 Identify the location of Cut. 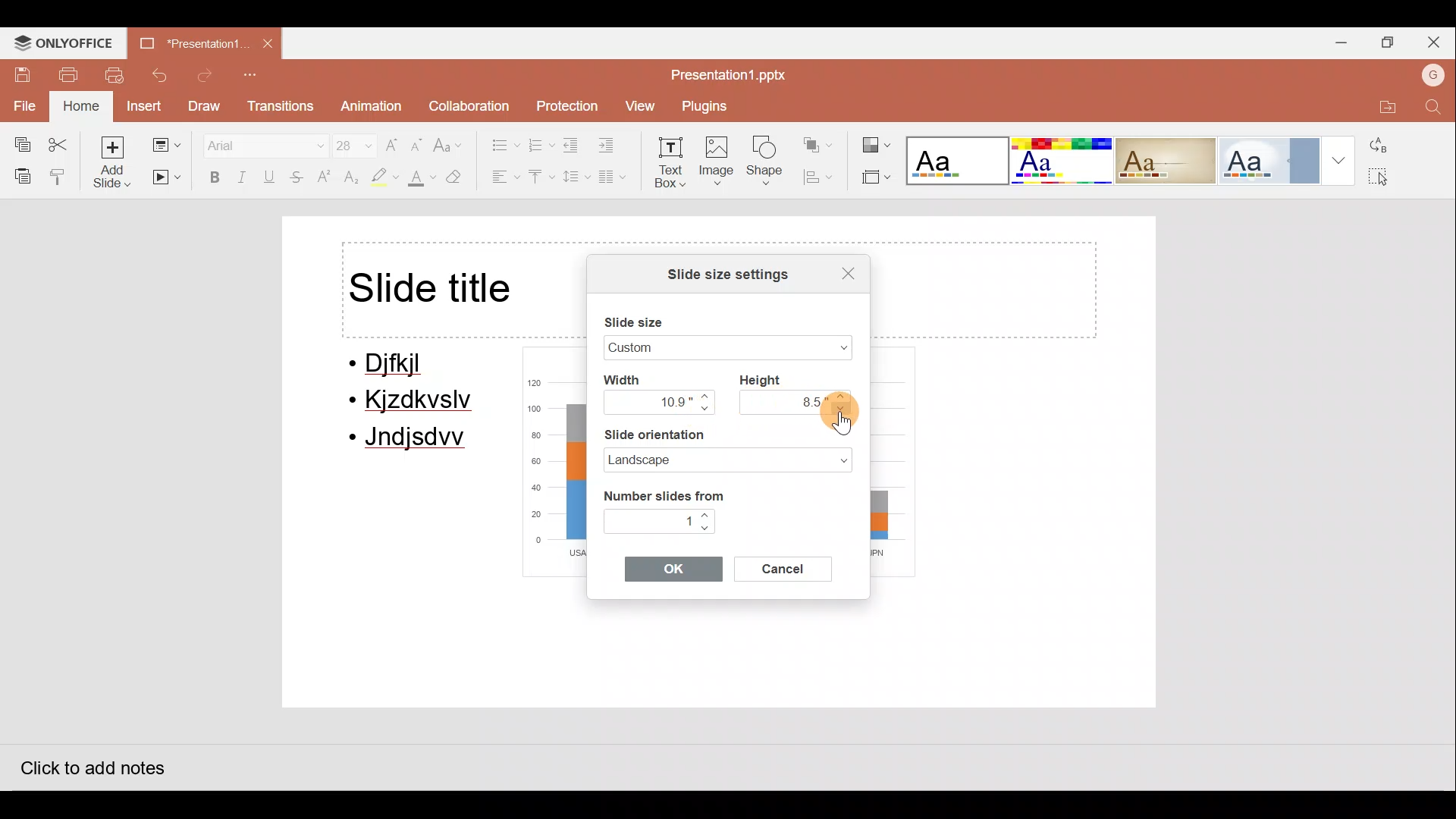
(62, 141).